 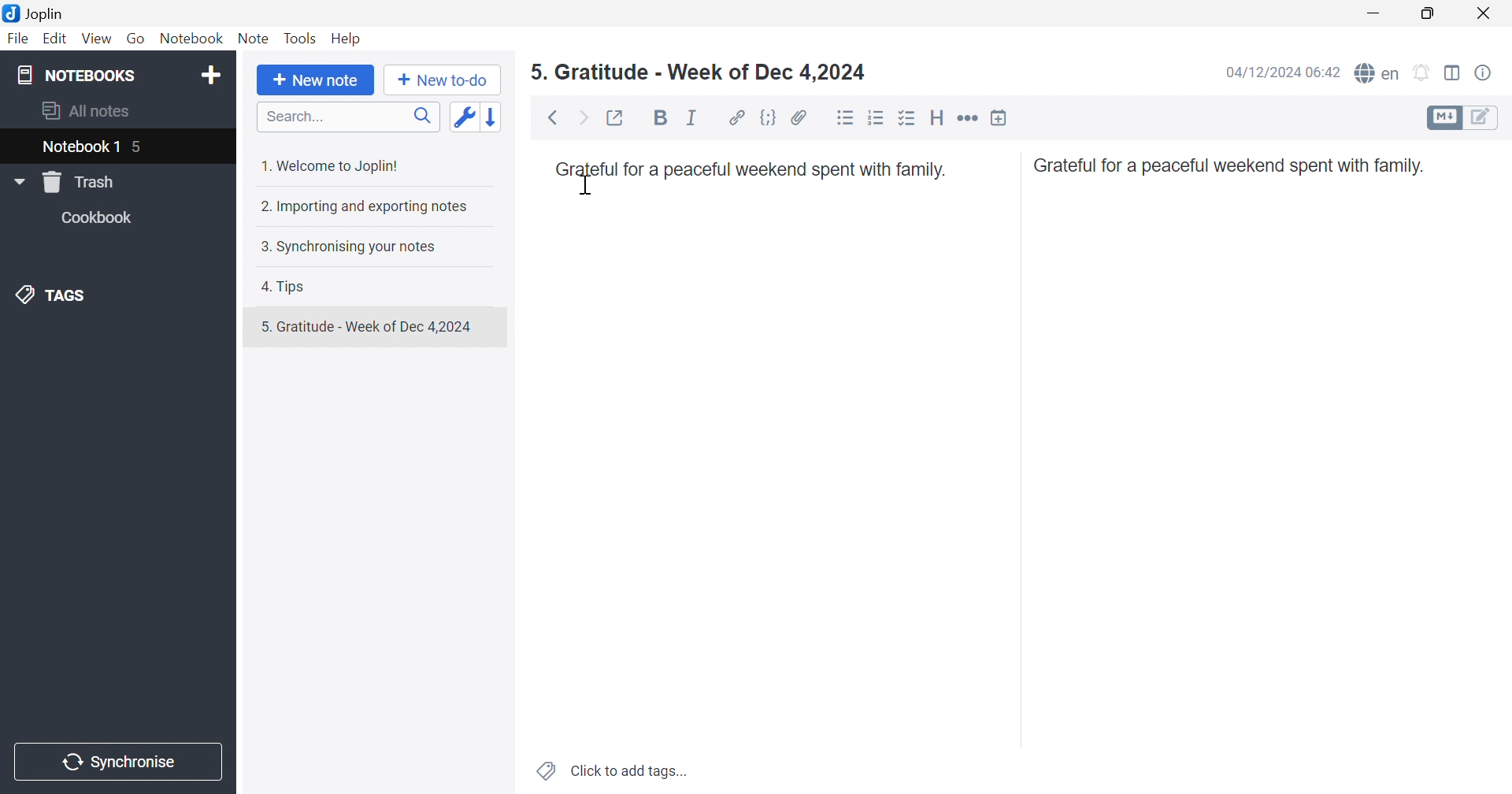 What do you see at coordinates (347, 246) in the screenshot?
I see `3. Synchronising your notes` at bounding box center [347, 246].